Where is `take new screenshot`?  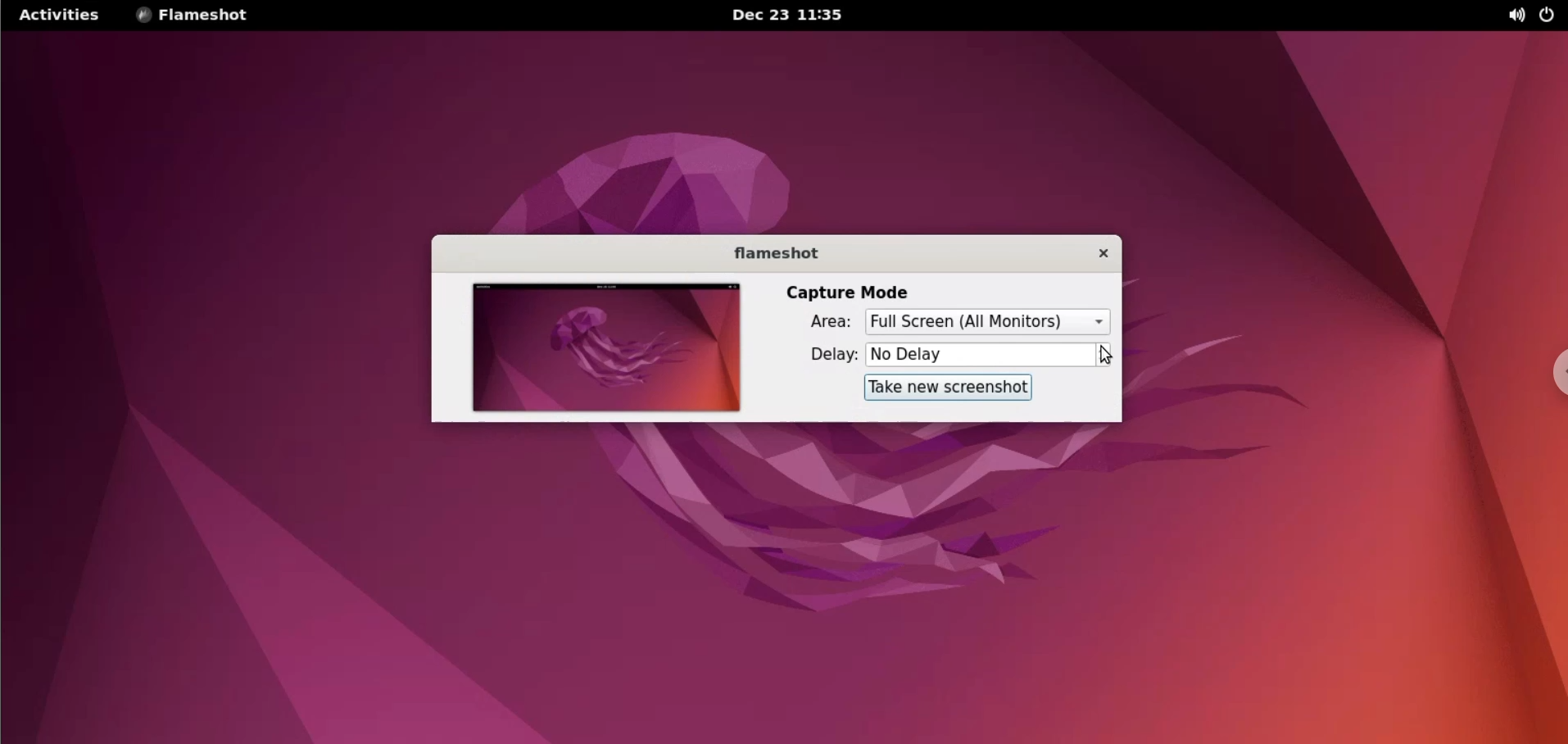
take new screenshot is located at coordinates (951, 387).